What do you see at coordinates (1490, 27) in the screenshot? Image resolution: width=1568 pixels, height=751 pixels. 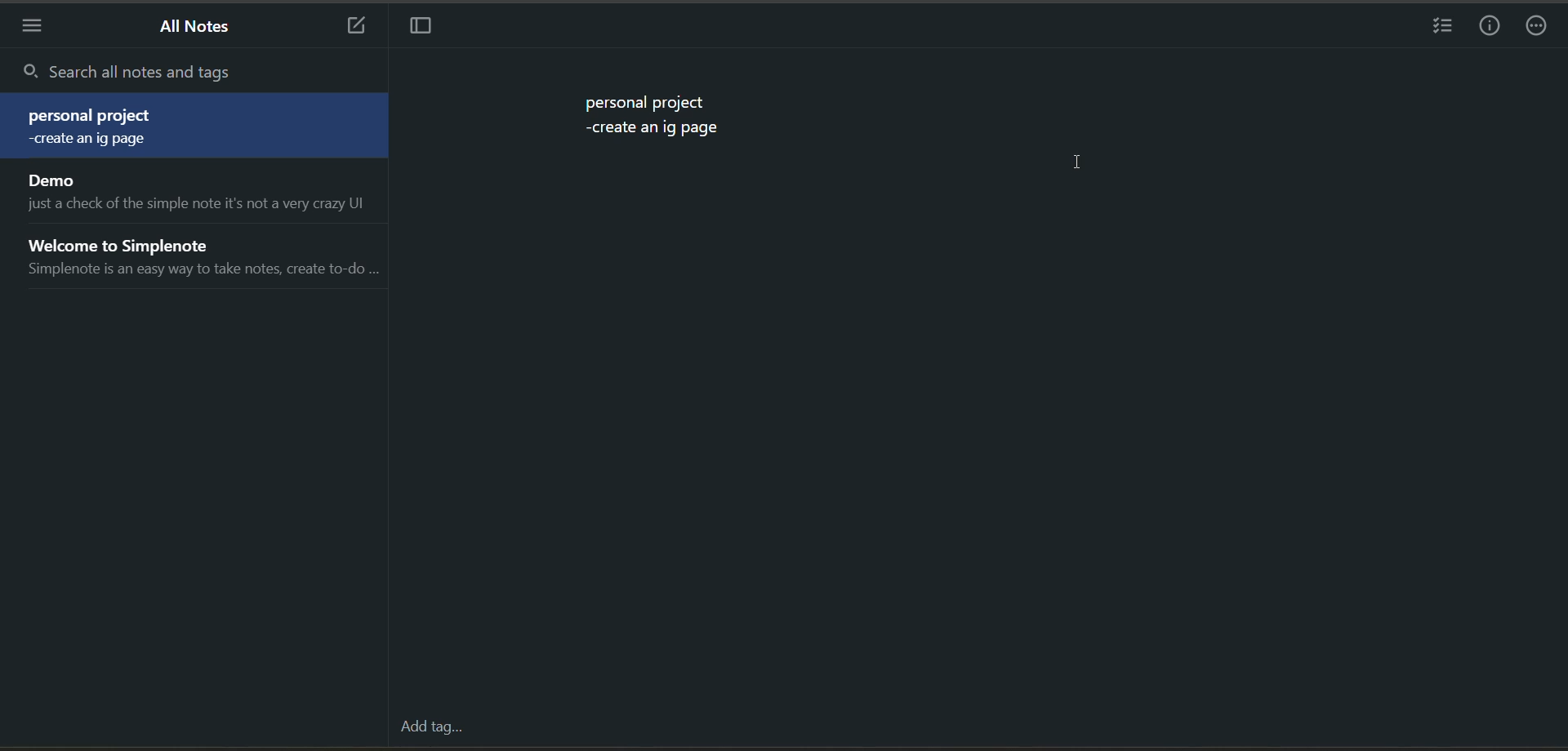 I see `infor` at bounding box center [1490, 27].